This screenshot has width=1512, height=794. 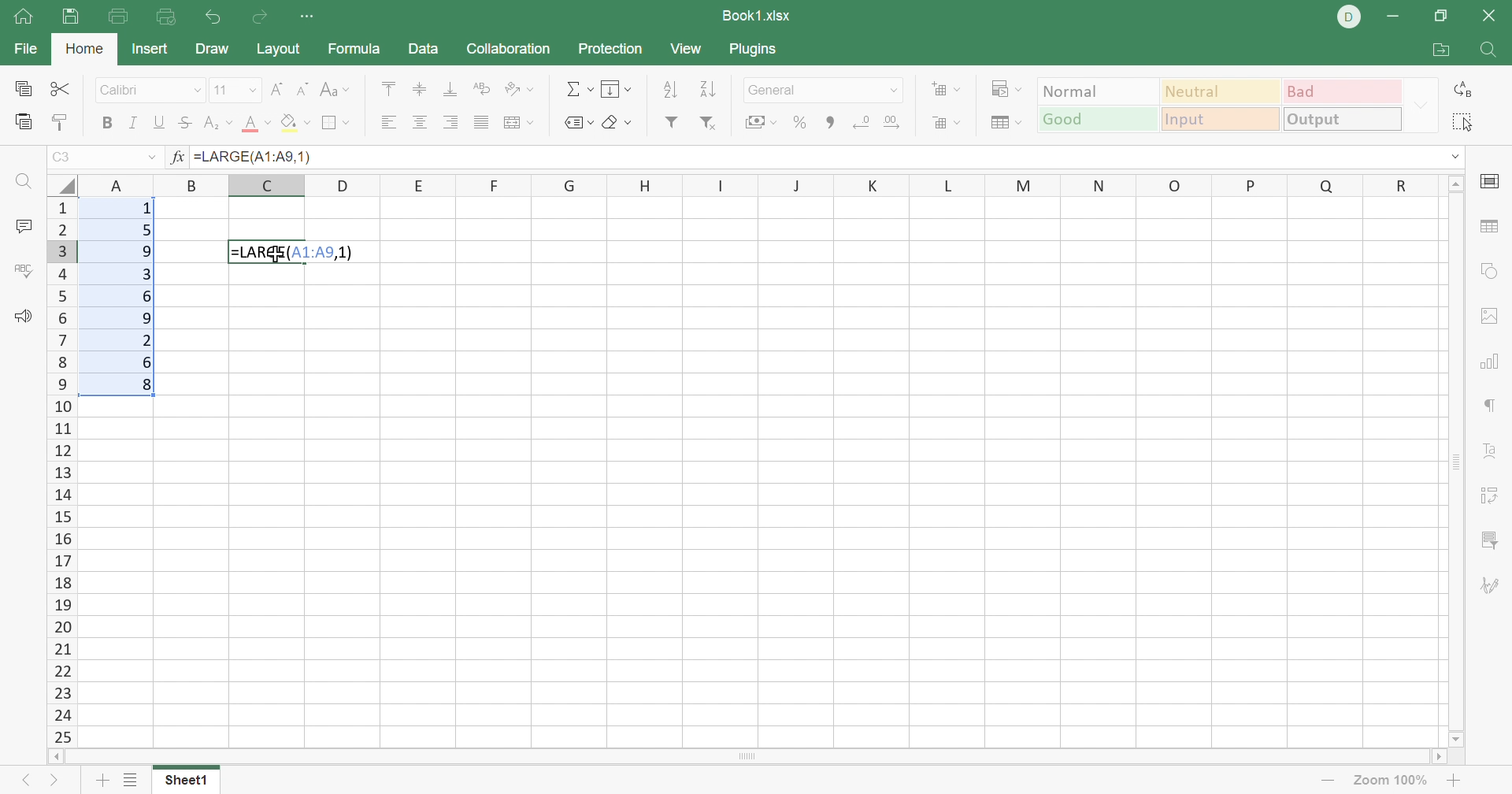 What do you see at coordinates (1489, 538) in the screenshot?
I see `Slicer settings` at bounding box center [1489, 538].